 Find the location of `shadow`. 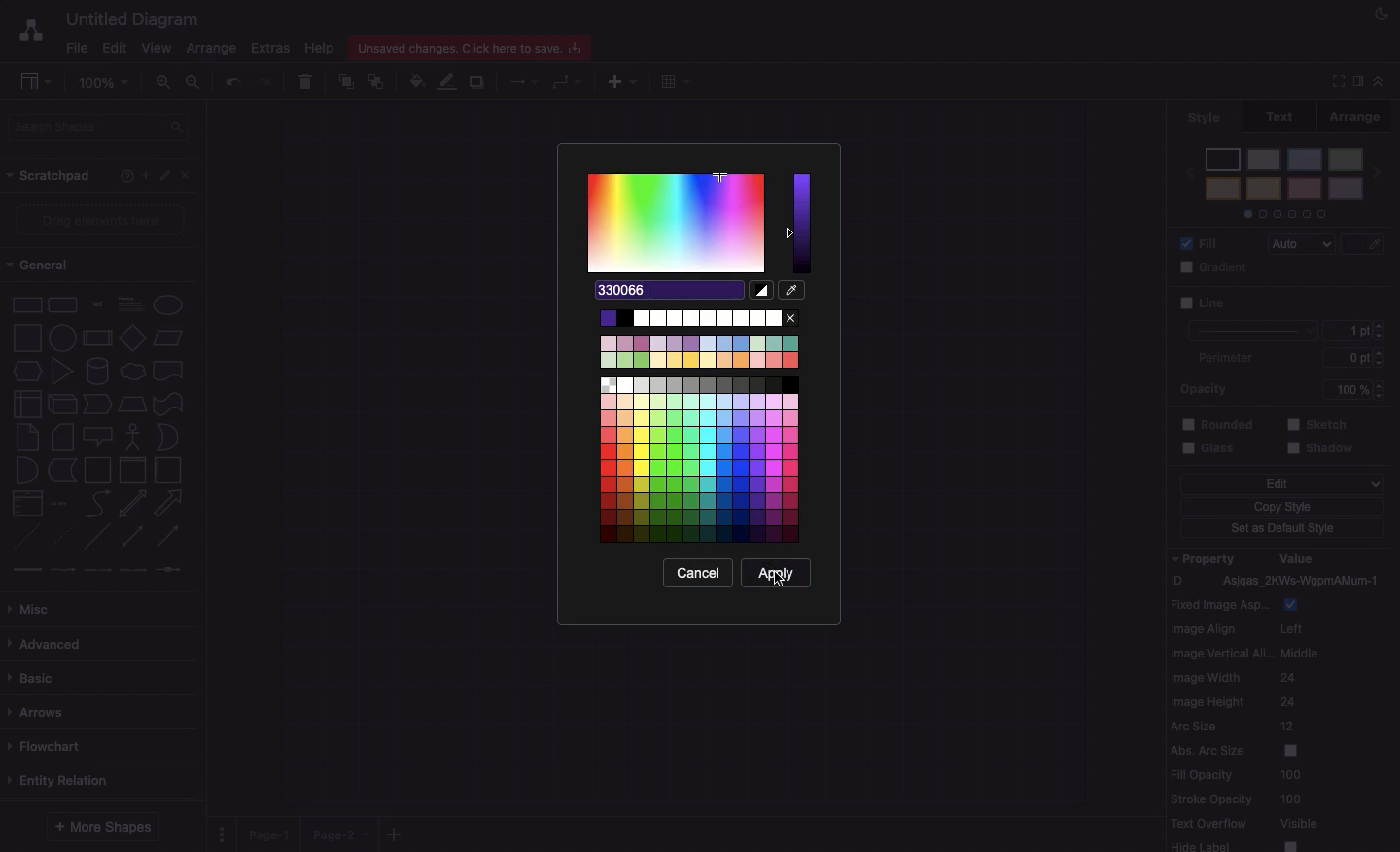

shadow is located at coordinates (1323, 449).